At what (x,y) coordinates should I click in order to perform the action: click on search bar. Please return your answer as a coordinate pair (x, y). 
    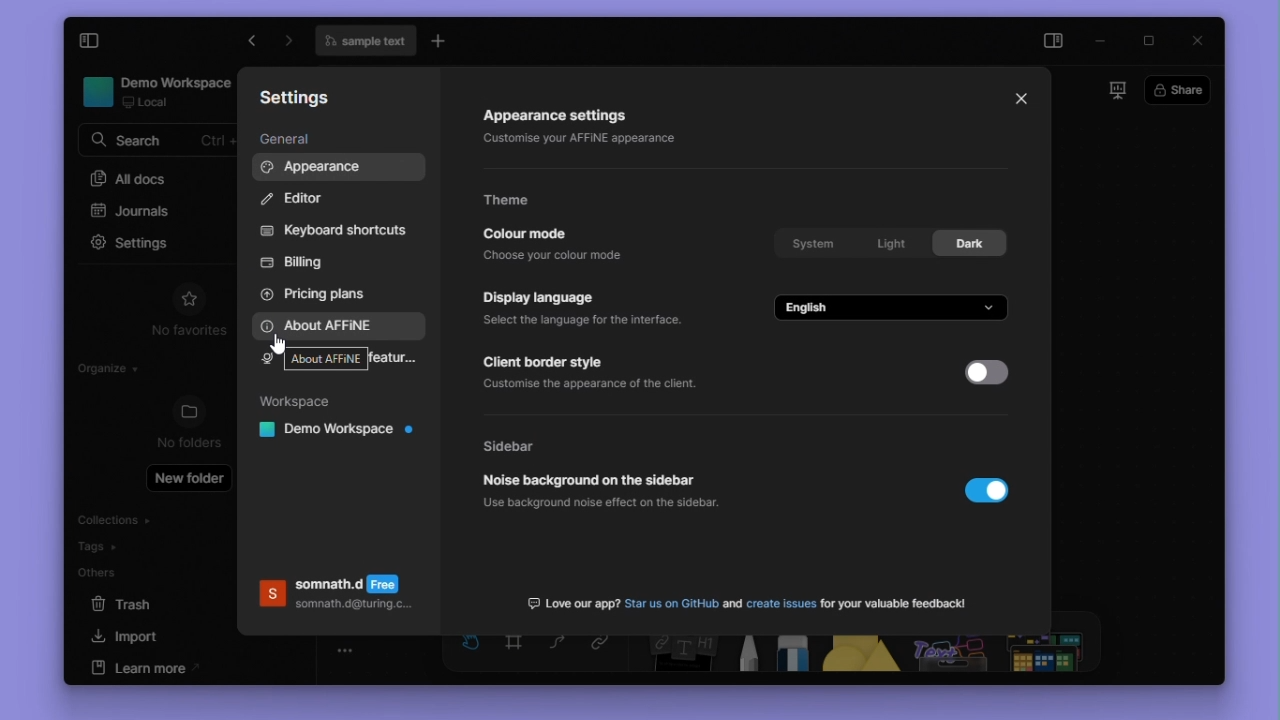
    Looking at the image, I should click on (153, 142).